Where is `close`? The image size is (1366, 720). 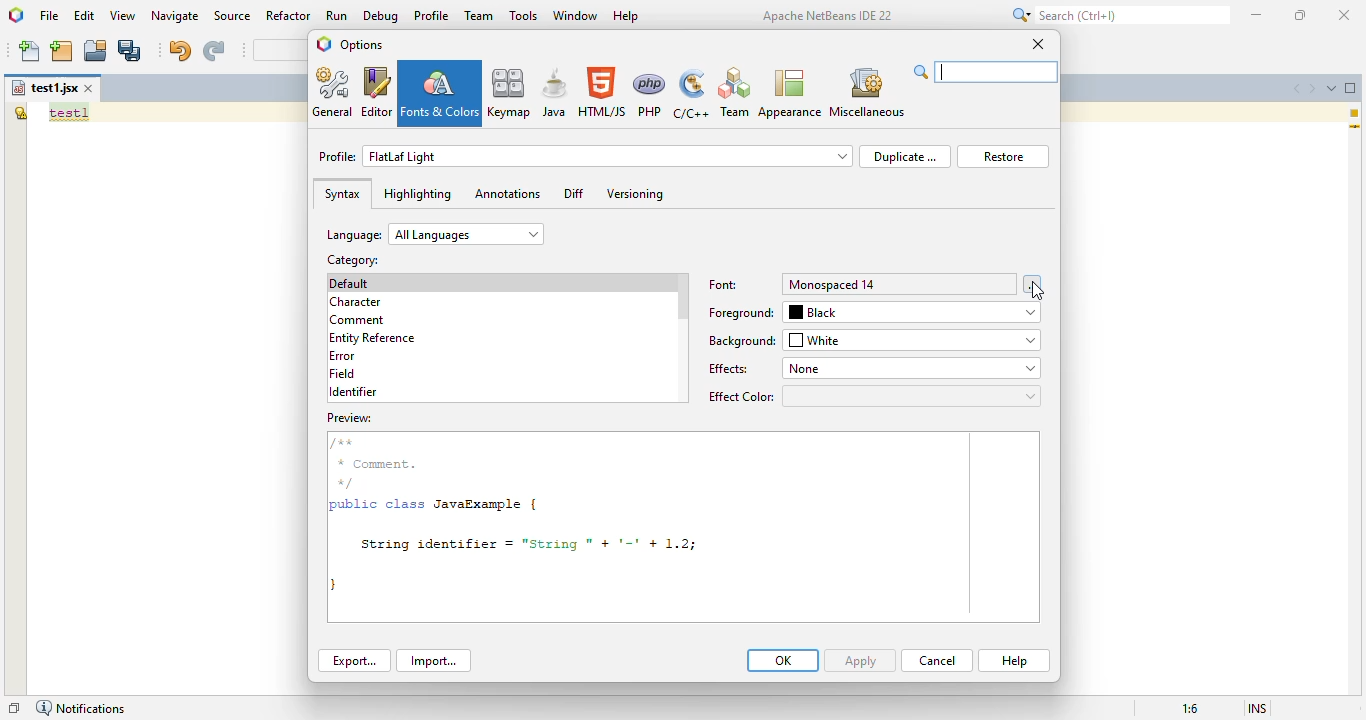 close is located at coordinates (1343, 14).